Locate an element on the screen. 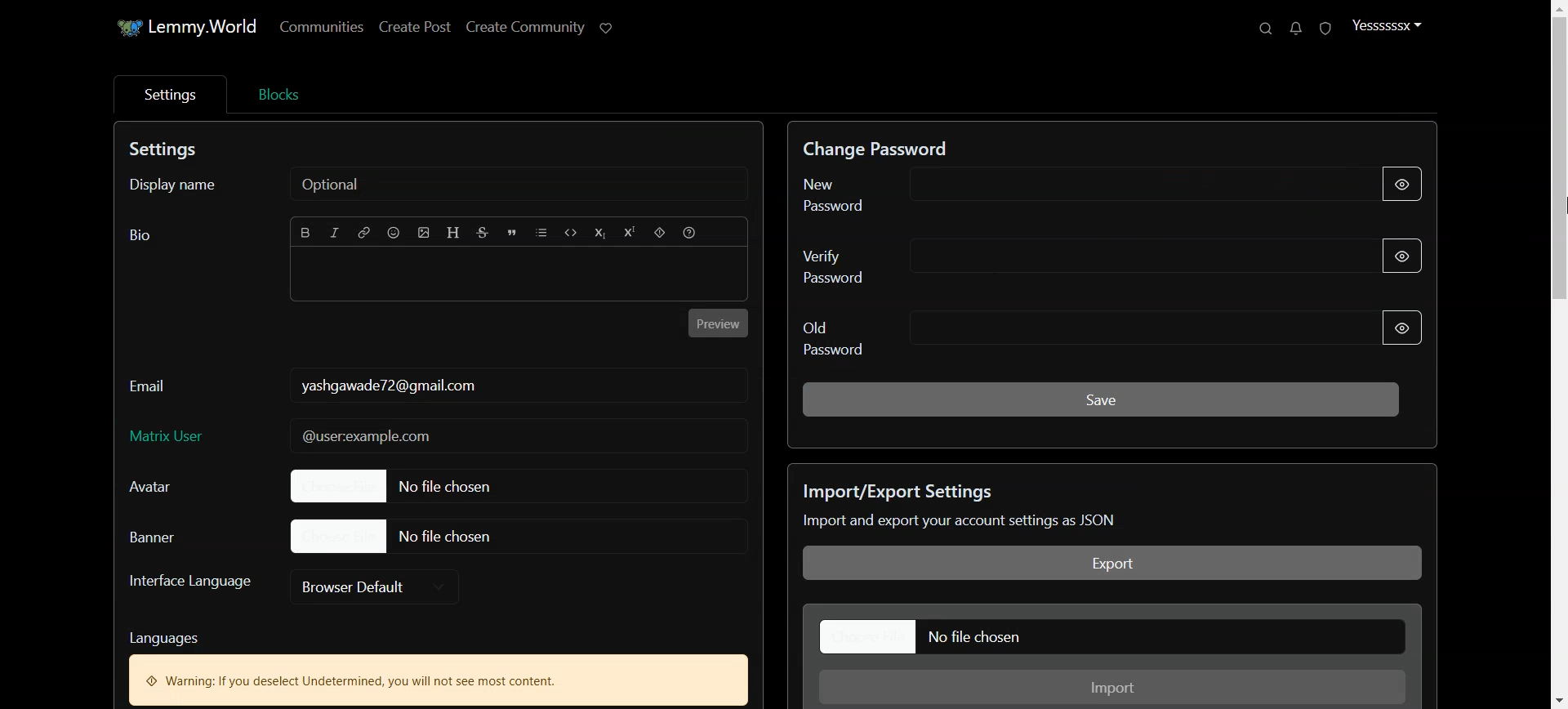 This screenshot has width=1568, height=709. List is located at coordinates (541, 232).